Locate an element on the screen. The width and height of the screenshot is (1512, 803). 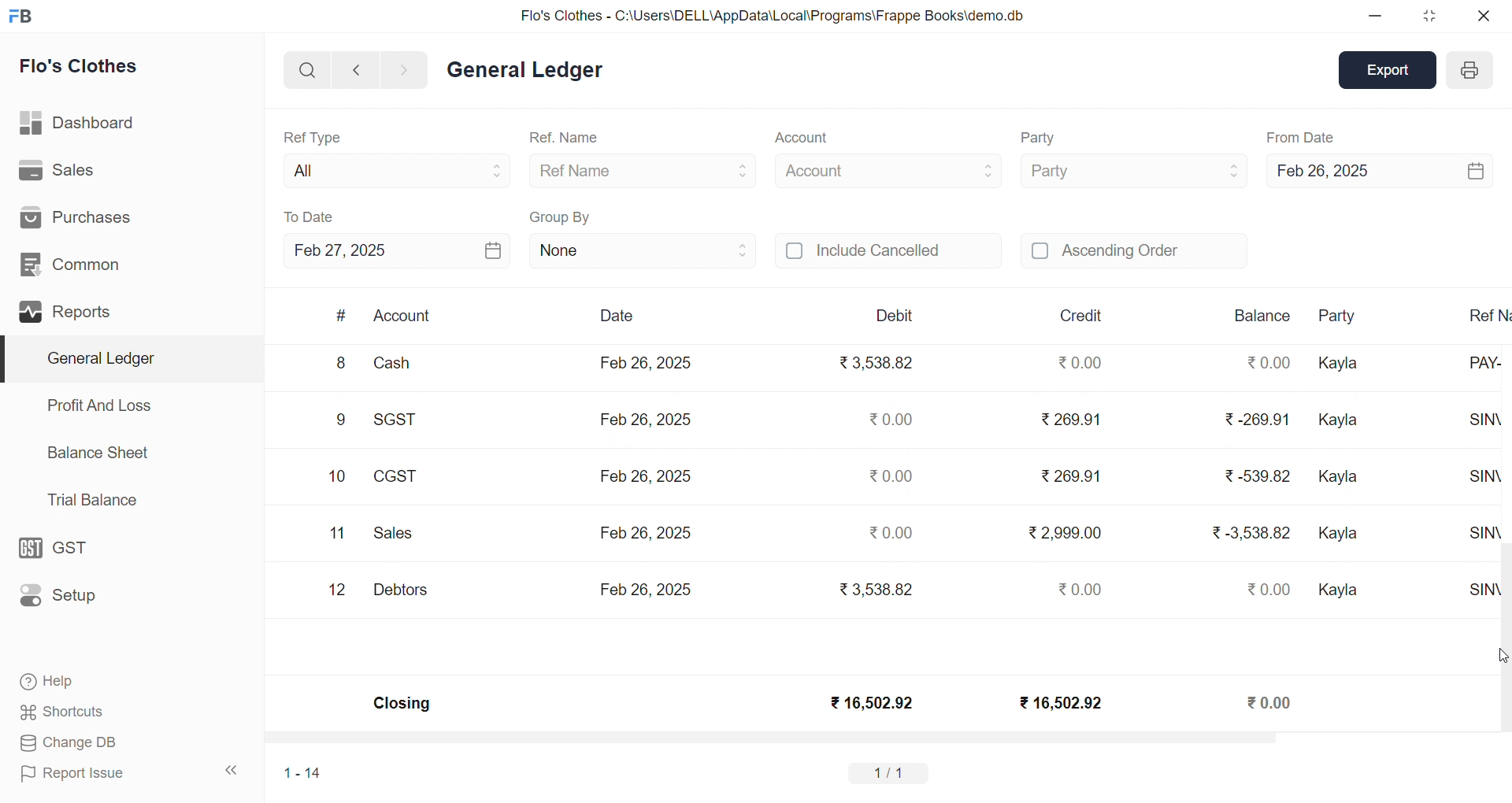
Common is located at coordinates (71, 262).